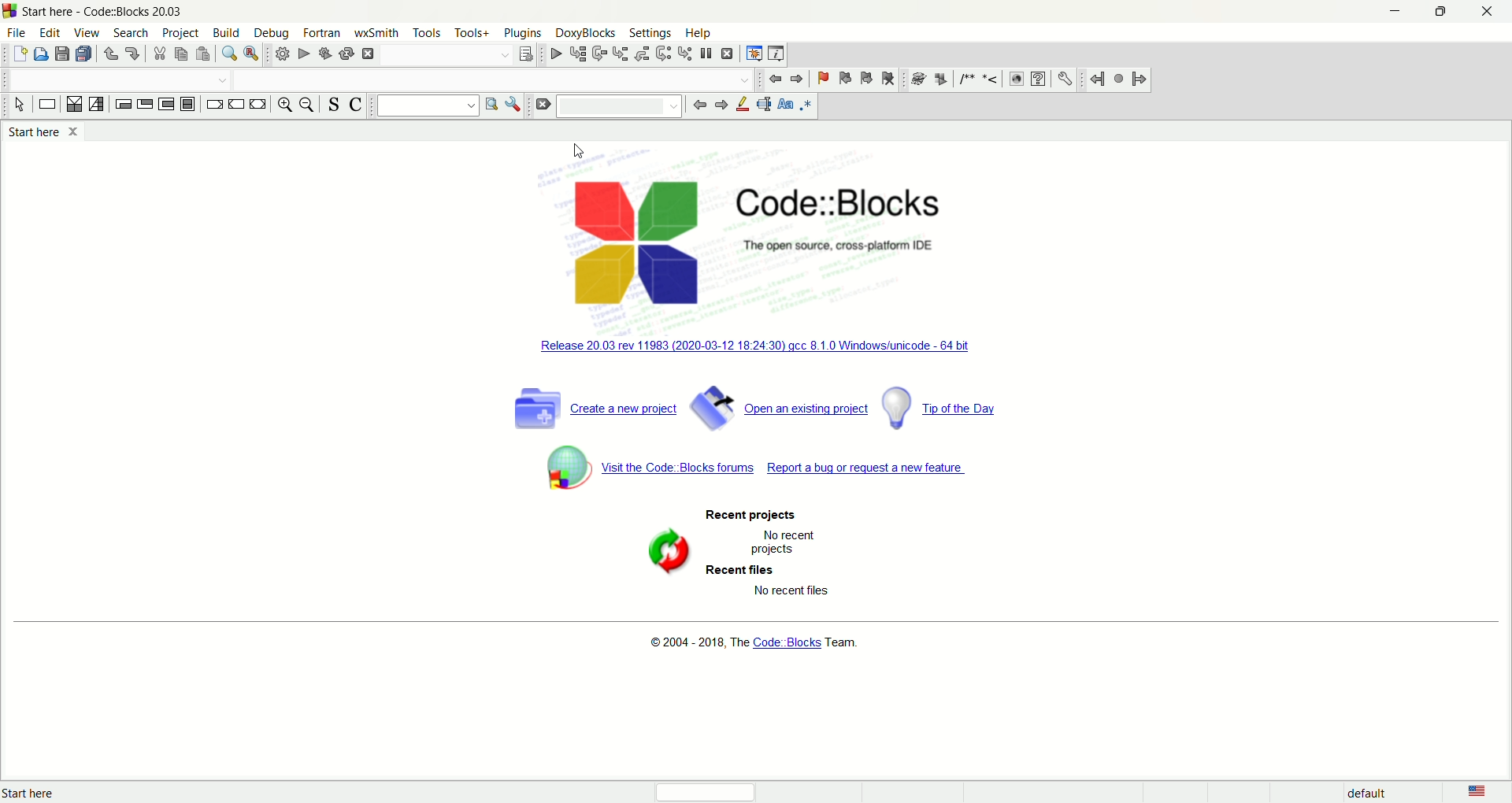 This screenshot has width=1512, height=803. I want to click on text, so click(29, 795).